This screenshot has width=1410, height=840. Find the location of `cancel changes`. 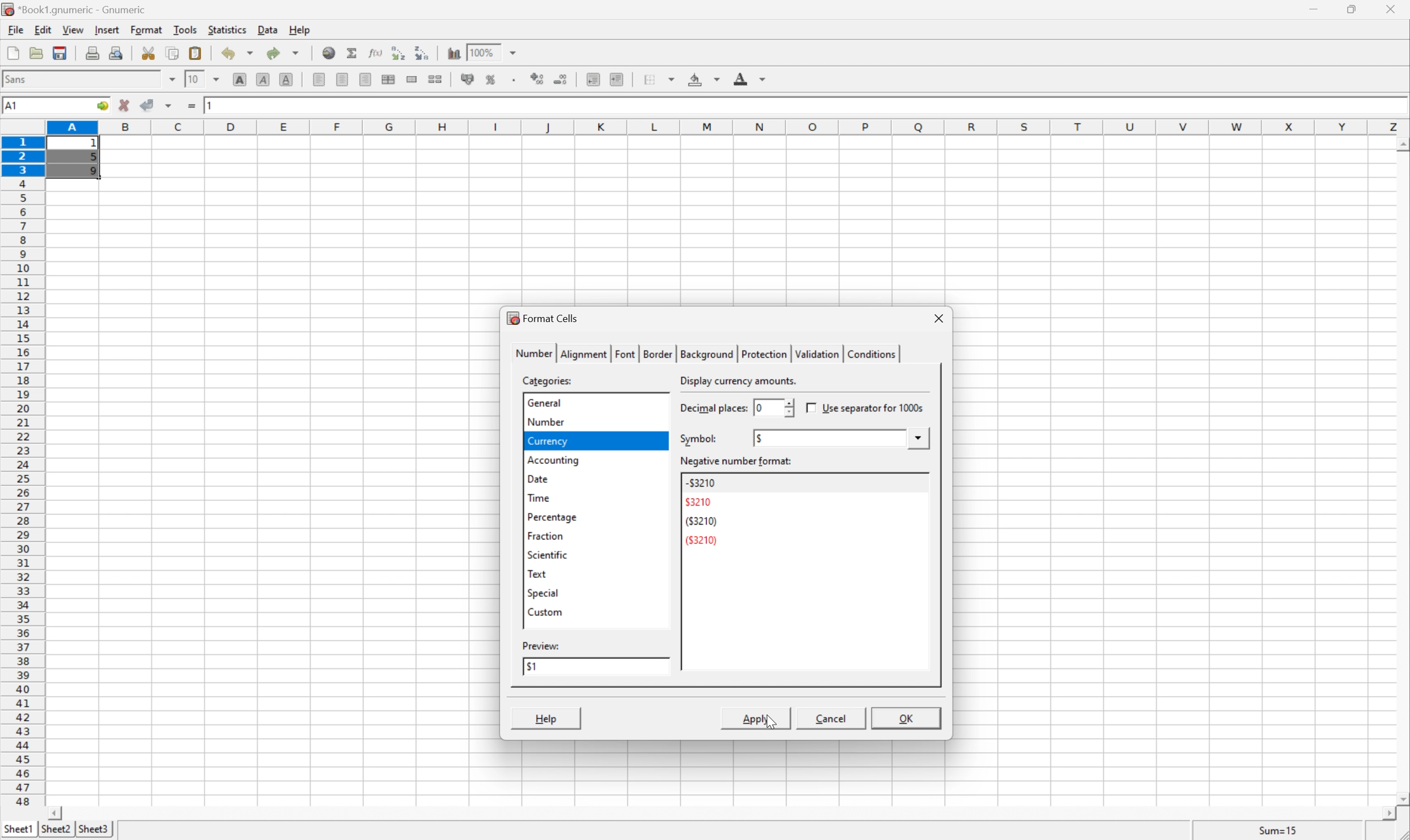

cancel changes is located at coordinates (125, 105).